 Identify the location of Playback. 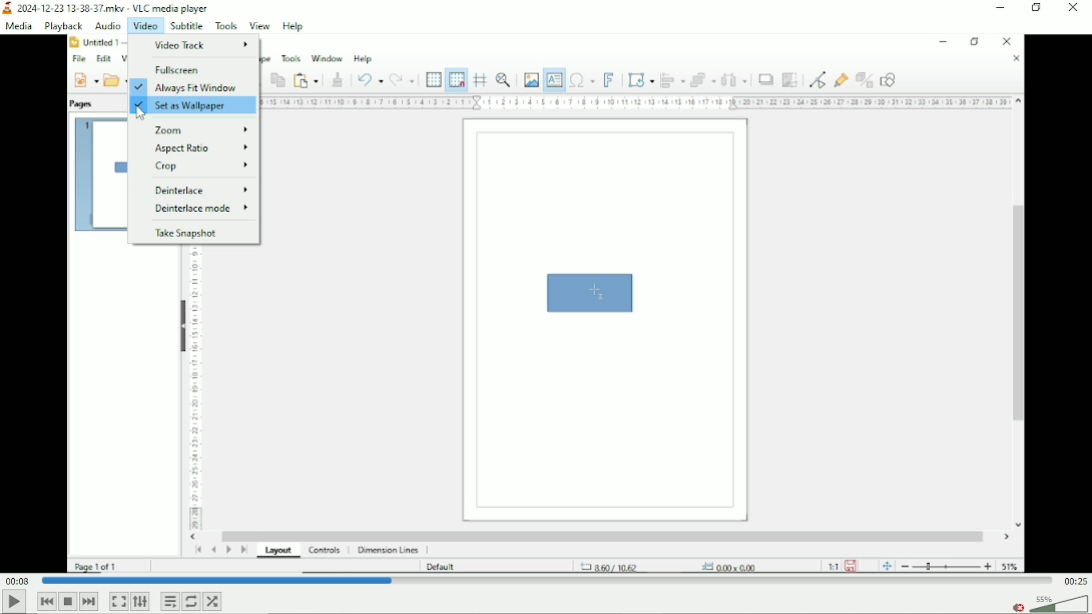
(62, 26).